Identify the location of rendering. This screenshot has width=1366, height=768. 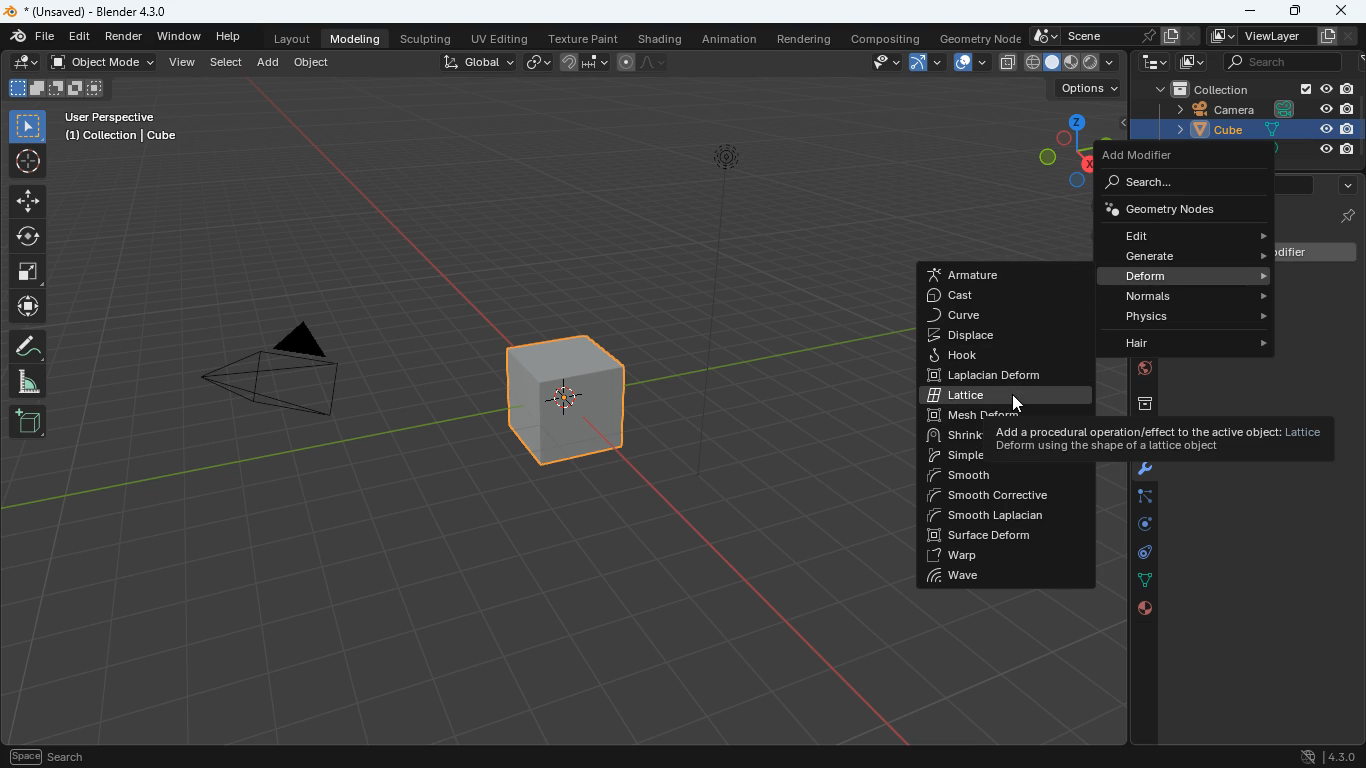
(809, 41).